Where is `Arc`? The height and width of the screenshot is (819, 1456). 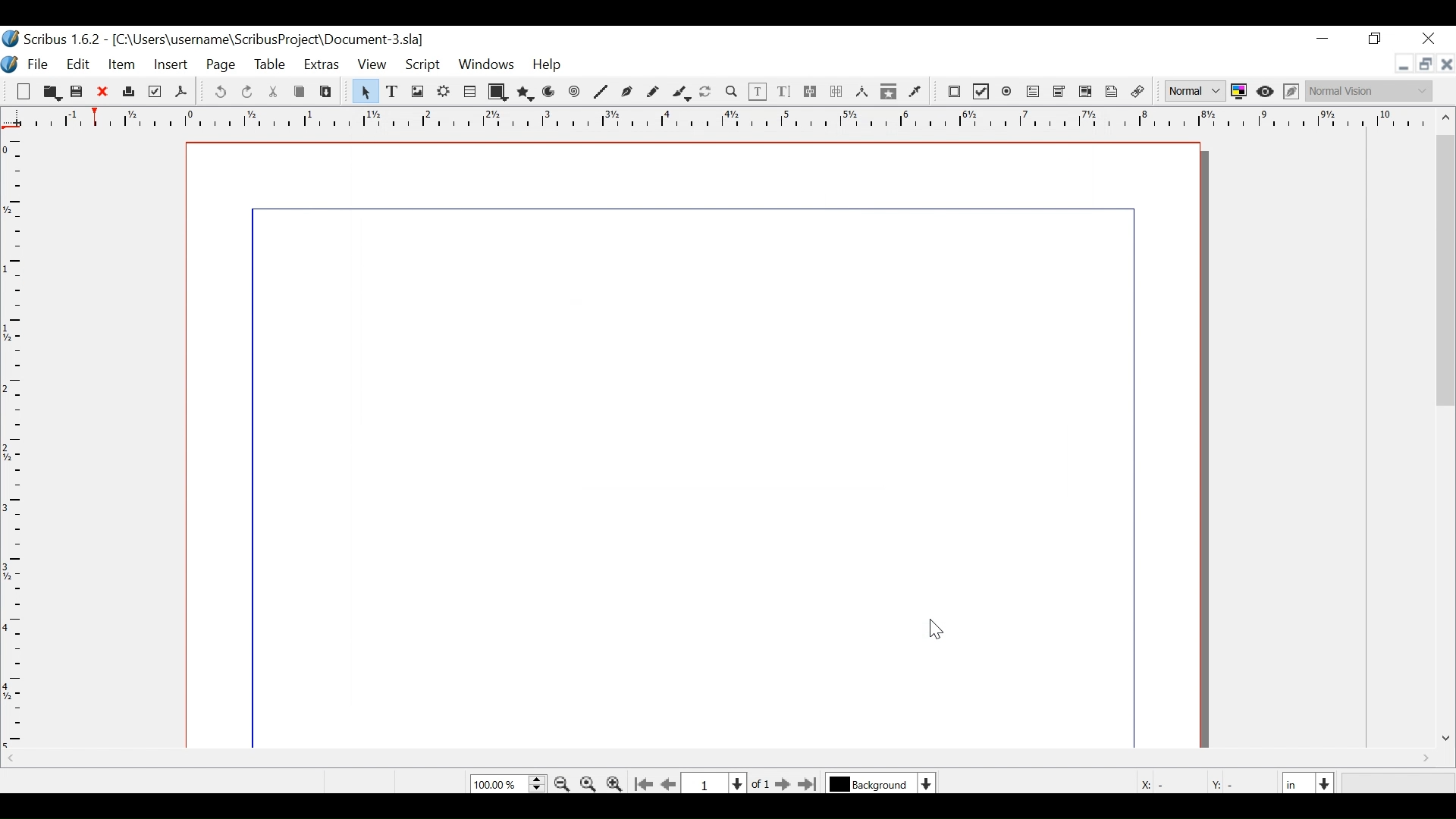
Arc is located at coordinates (549, 93).